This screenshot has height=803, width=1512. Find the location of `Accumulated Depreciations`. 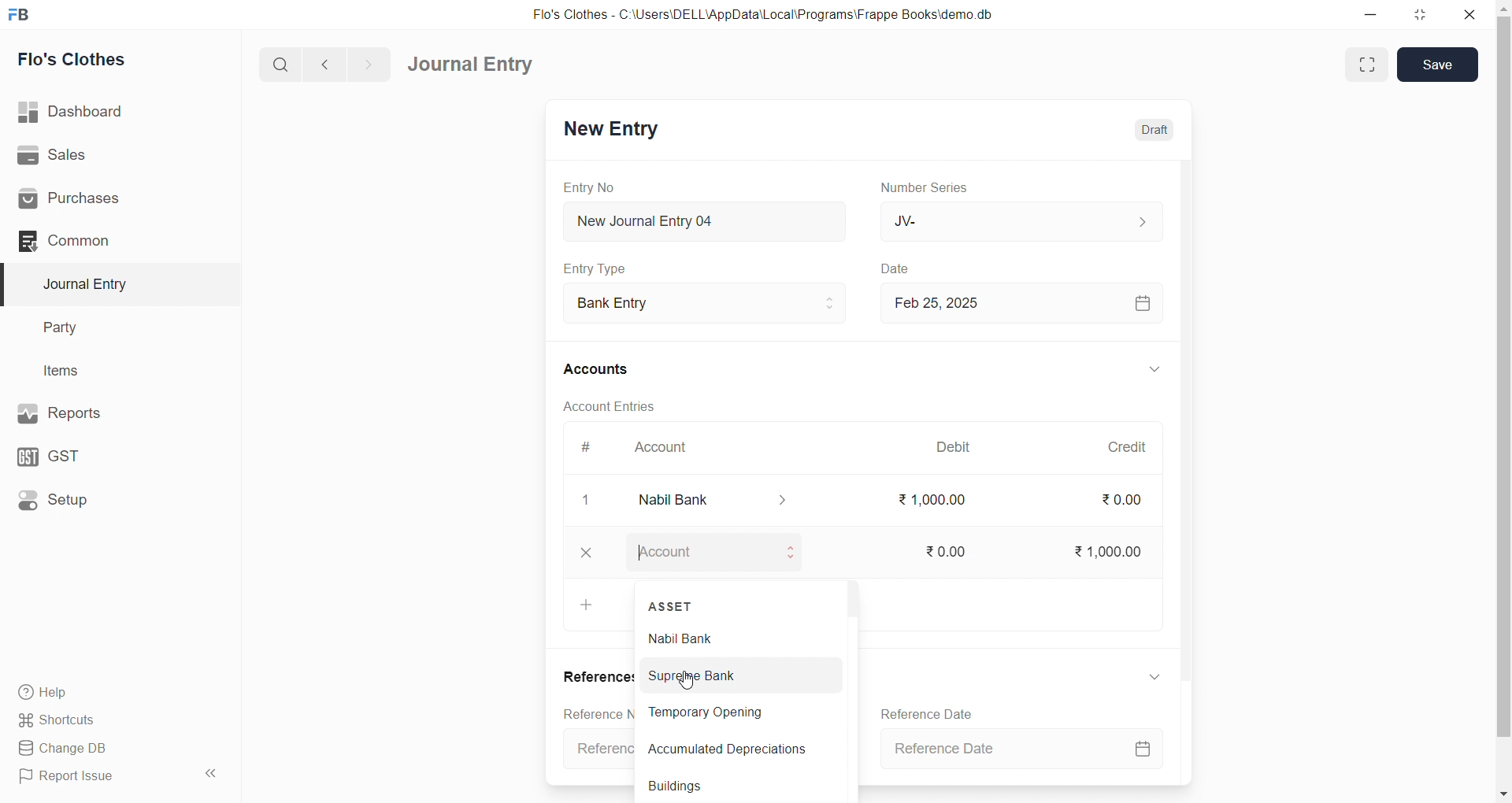

Accumulated Depreciations is located at coordinates (734, 749).